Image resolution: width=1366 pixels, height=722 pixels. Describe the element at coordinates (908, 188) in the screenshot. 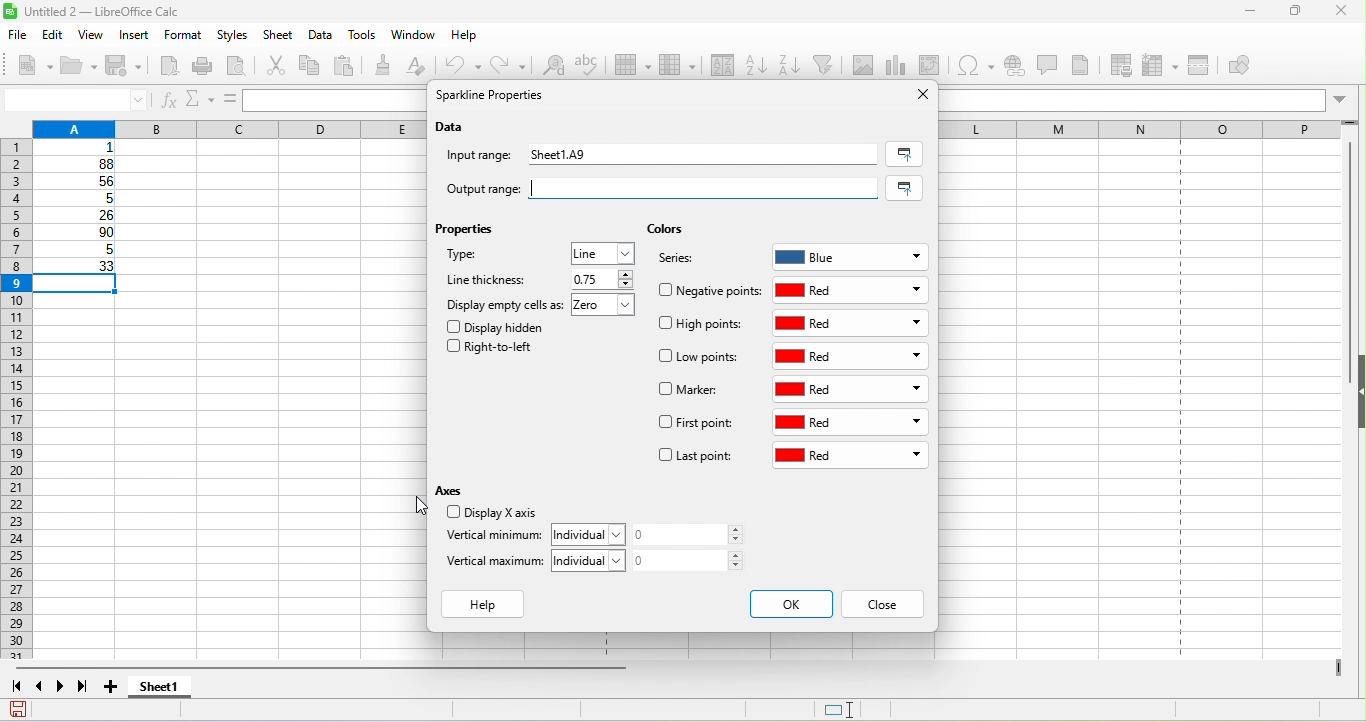

I see `selected range` at that location.